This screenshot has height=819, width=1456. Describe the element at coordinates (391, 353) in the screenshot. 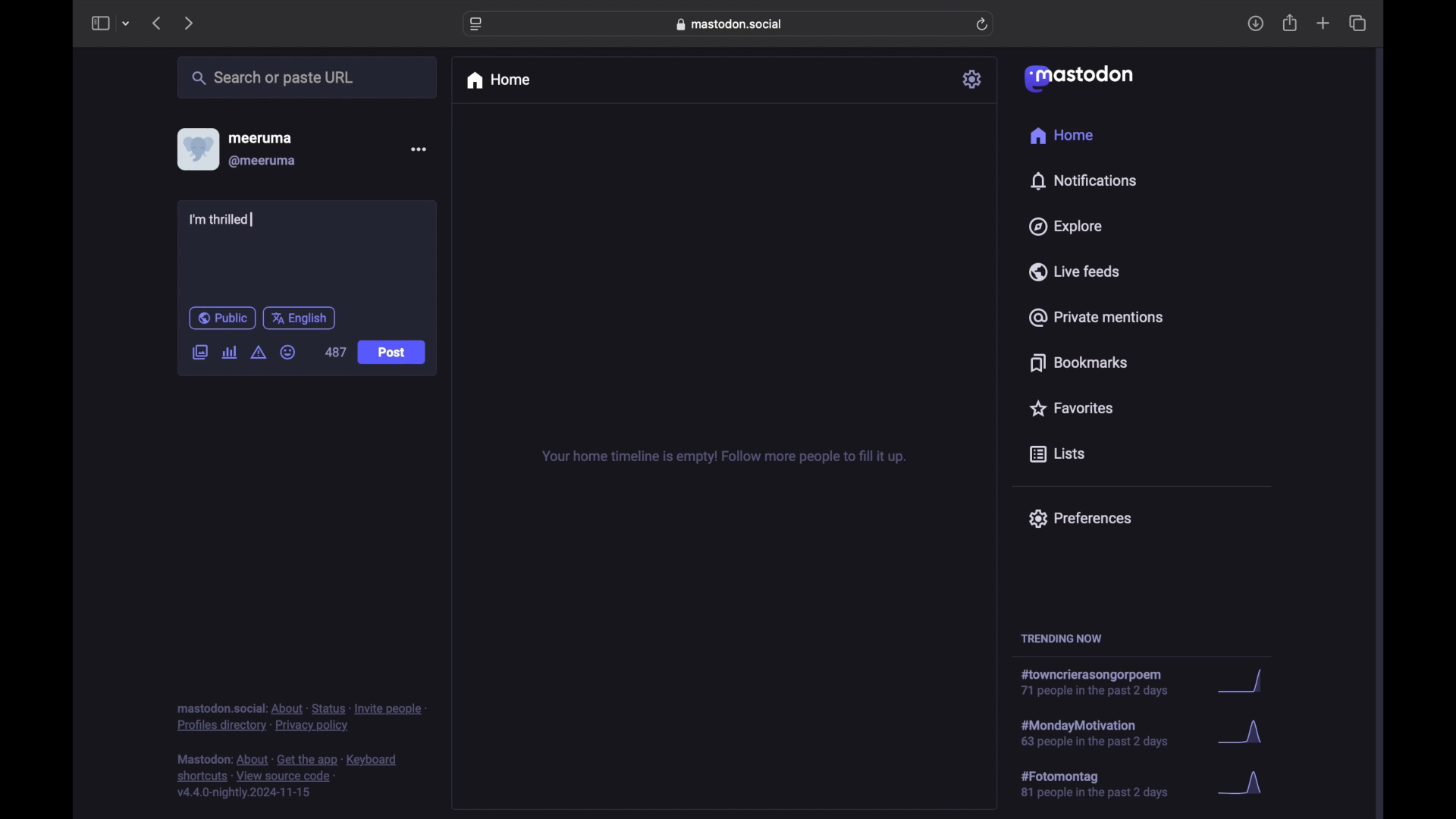

I see `post` at that location.